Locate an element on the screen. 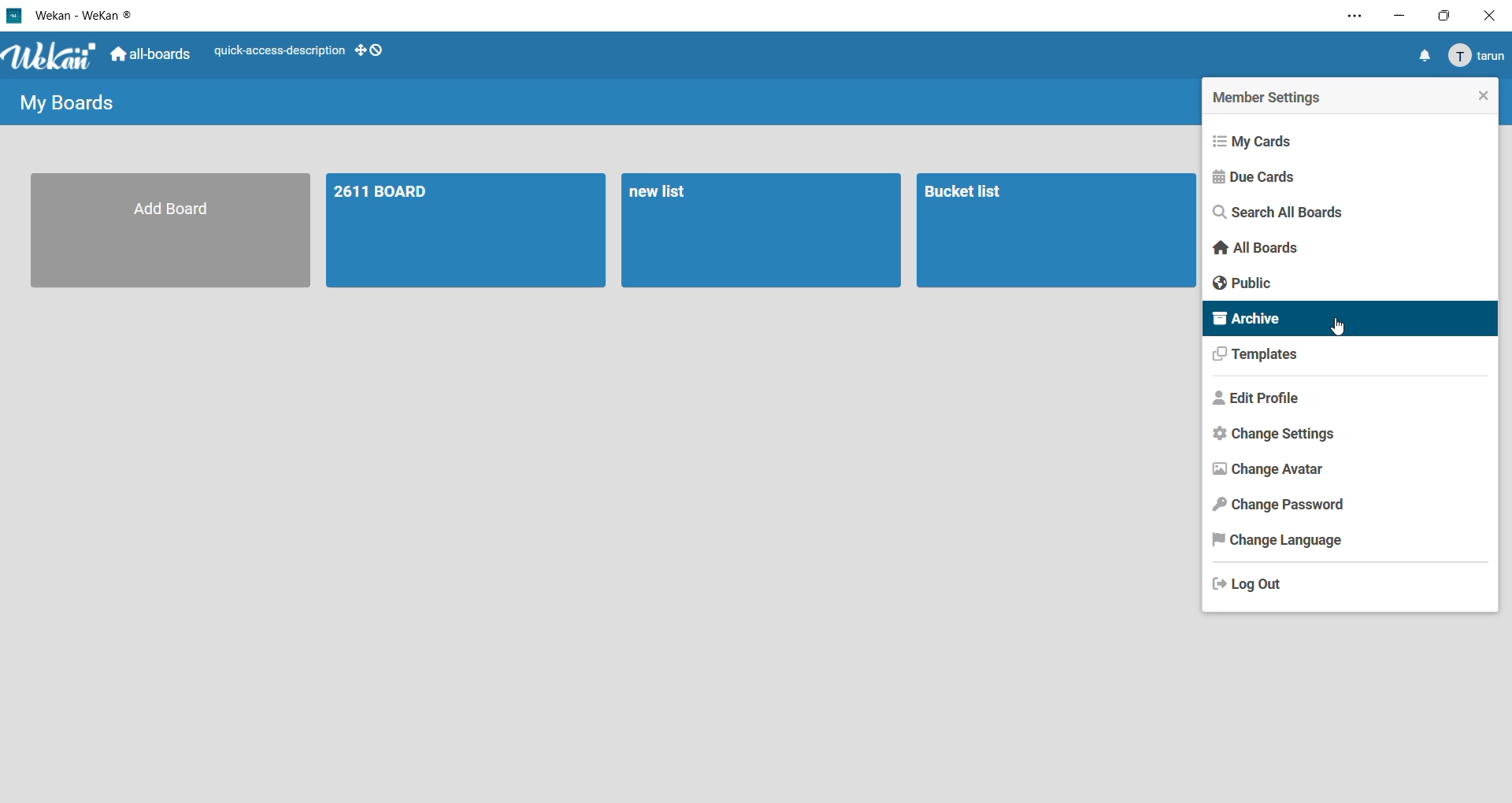  change language is located at coordinates (1284, 540).